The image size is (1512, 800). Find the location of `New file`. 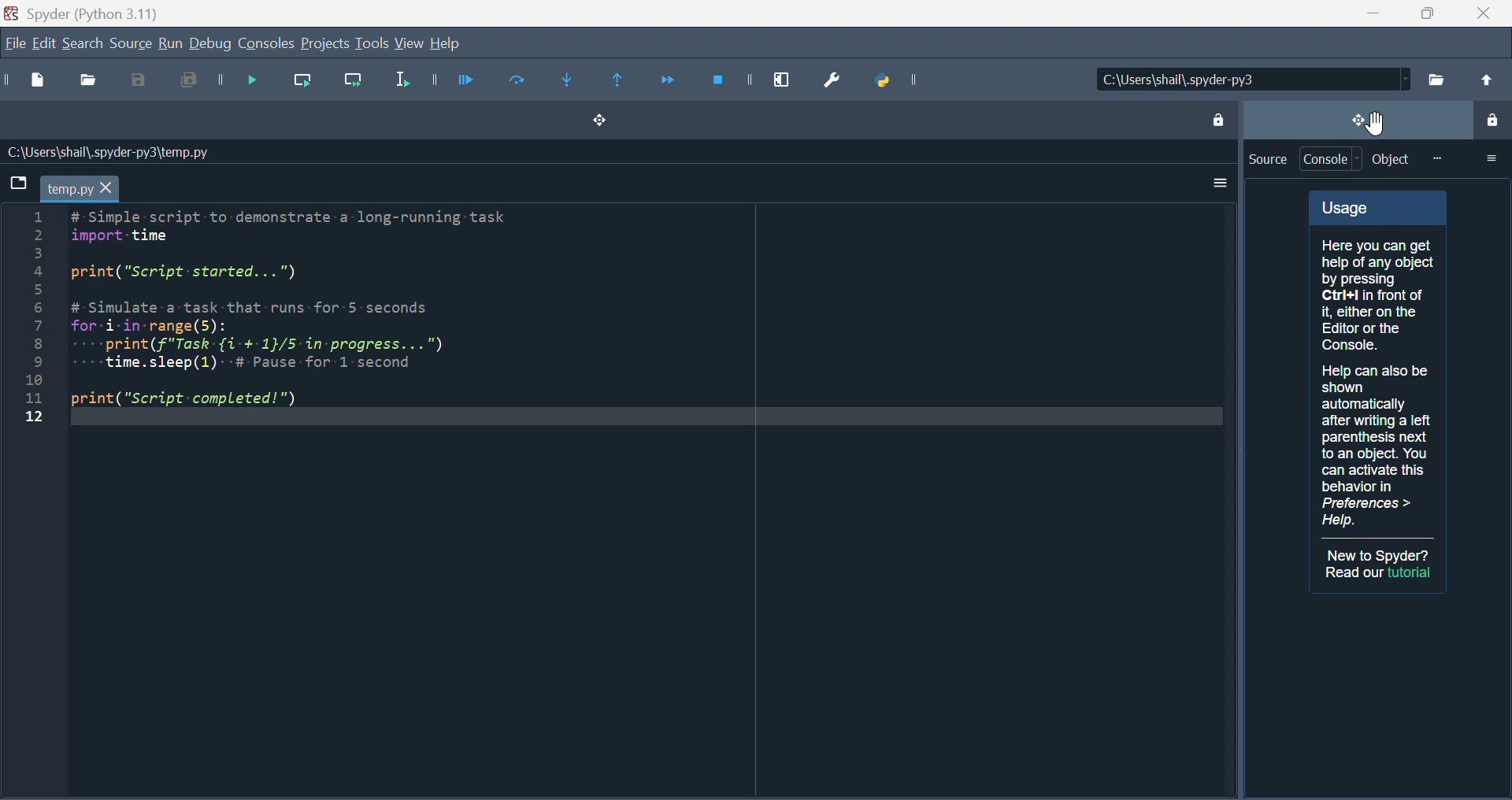

New file is located at coordinates (41, 83).